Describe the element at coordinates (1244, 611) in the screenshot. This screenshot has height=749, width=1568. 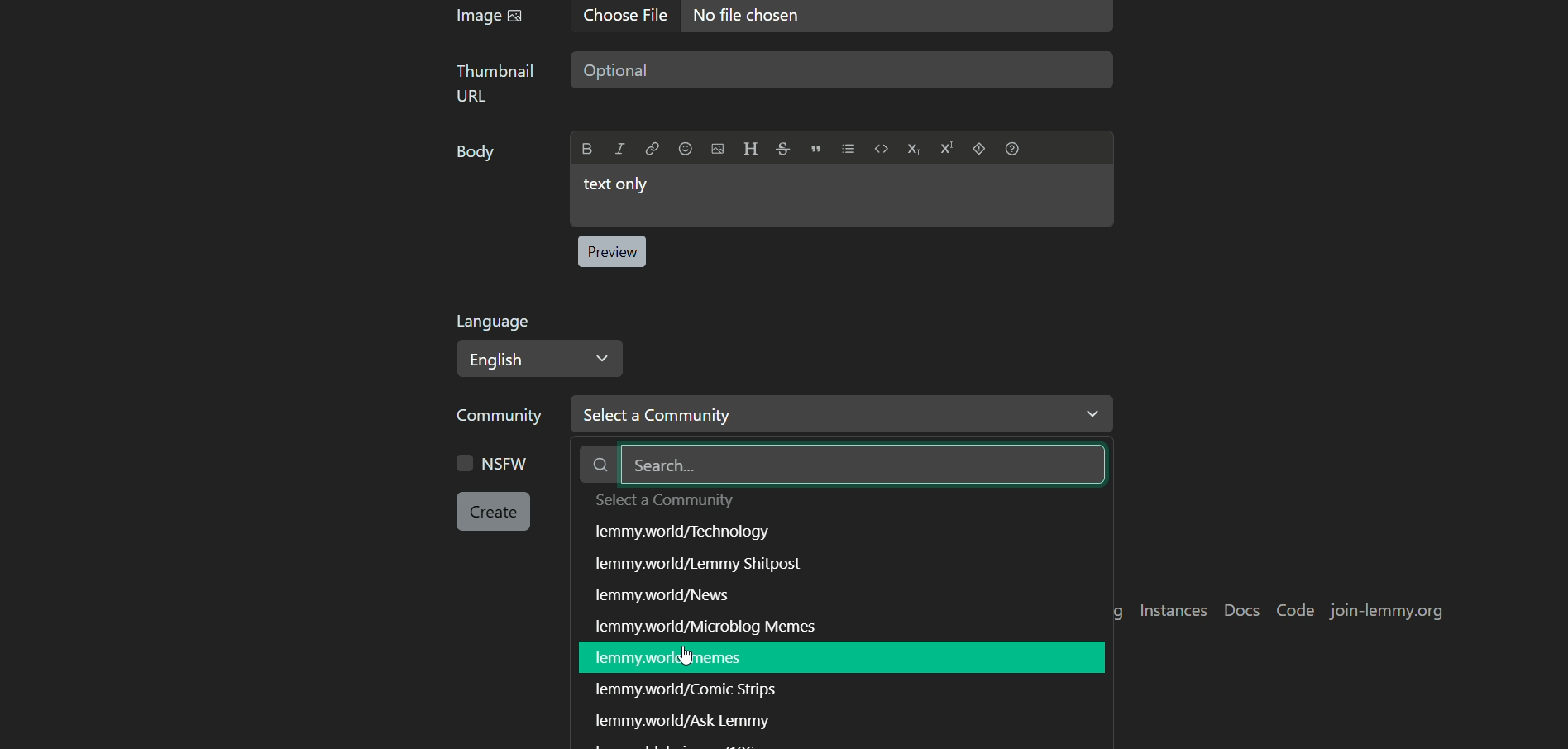
I see `docs` at that location.